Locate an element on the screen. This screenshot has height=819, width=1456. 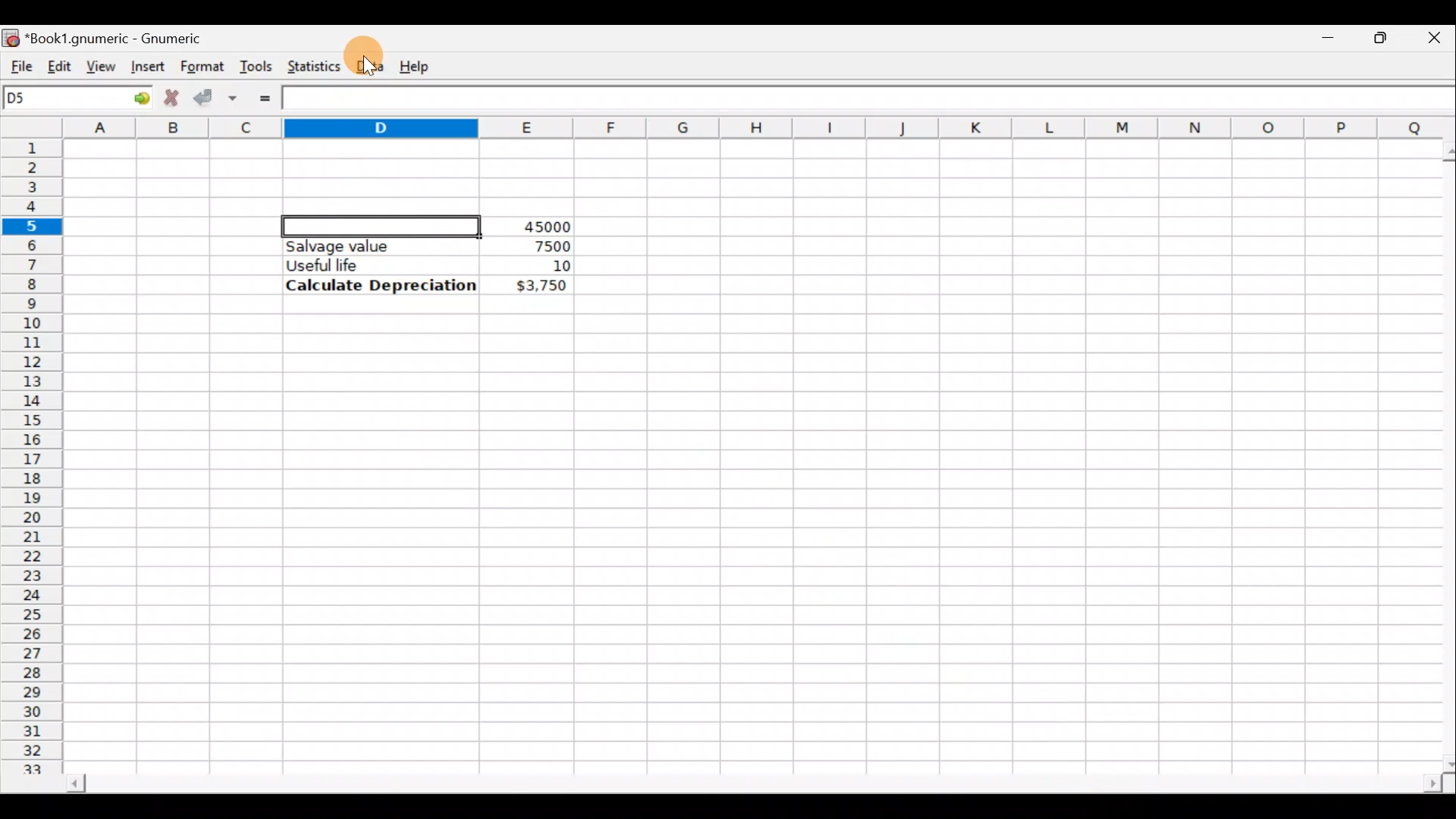
Go to is located at coordinates (136, 99).